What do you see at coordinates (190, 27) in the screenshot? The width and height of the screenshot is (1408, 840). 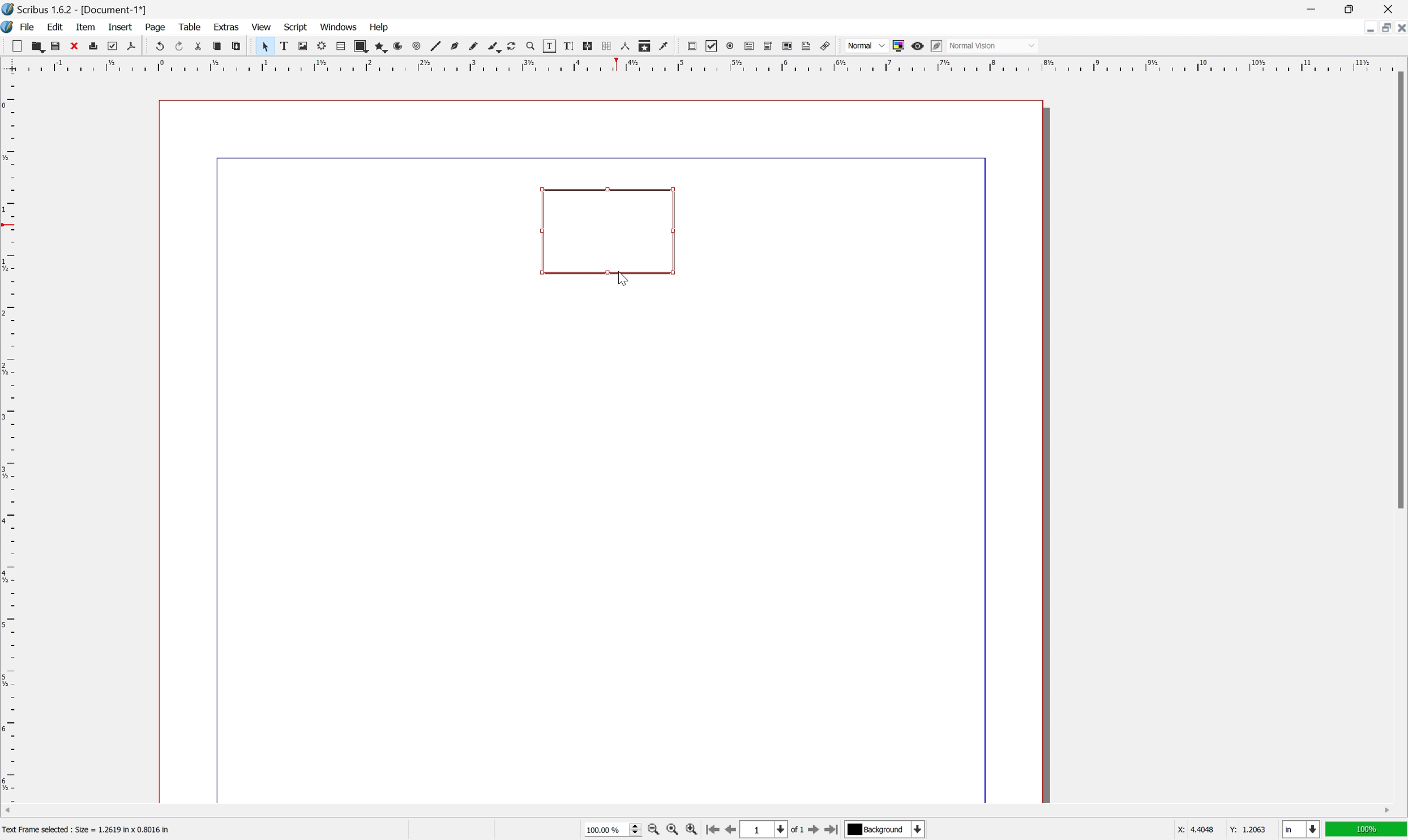 I see `table` at bounding box center [190, 27].